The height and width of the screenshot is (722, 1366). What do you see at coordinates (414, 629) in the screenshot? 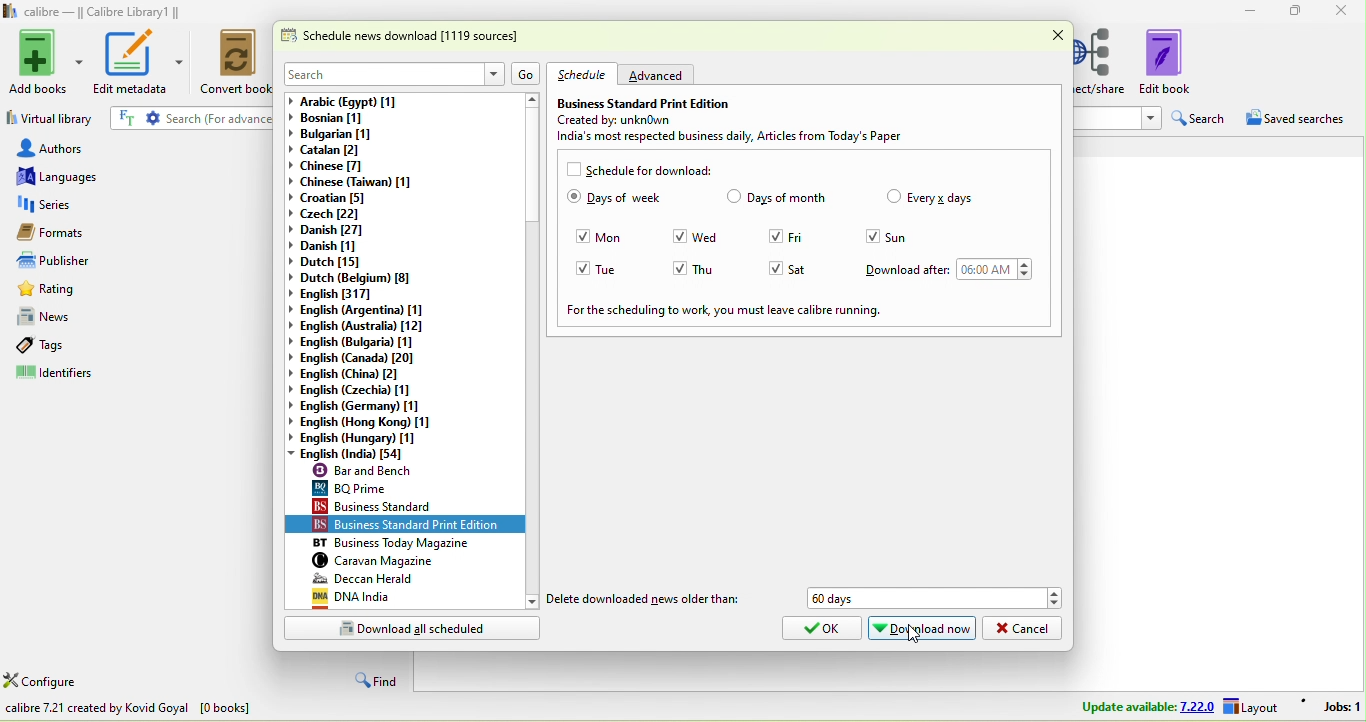
I see `download all scheduled` at bounding box center [414, 629].